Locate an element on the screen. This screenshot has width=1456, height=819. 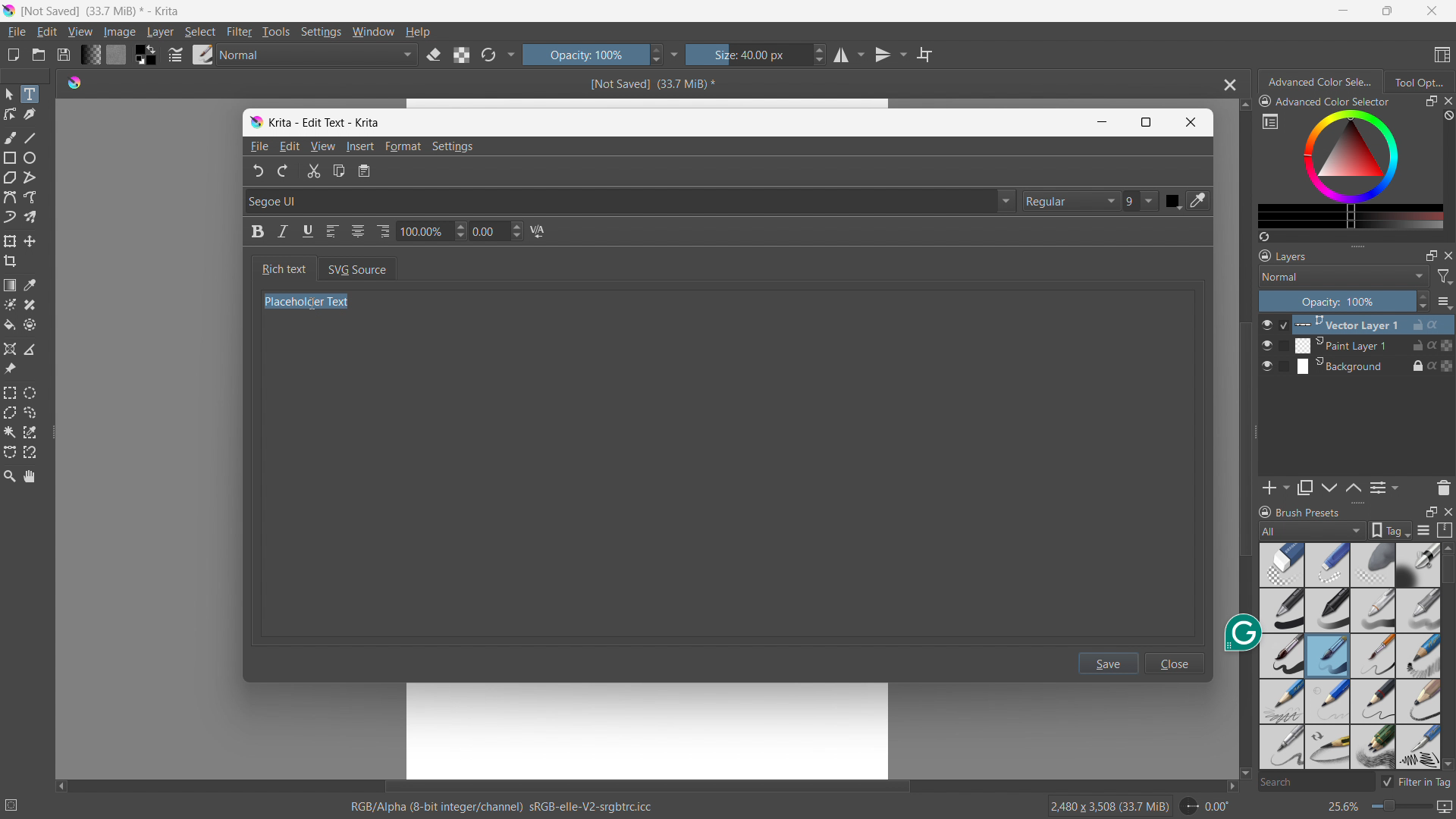
font size is located at coordinates (1141, 201).